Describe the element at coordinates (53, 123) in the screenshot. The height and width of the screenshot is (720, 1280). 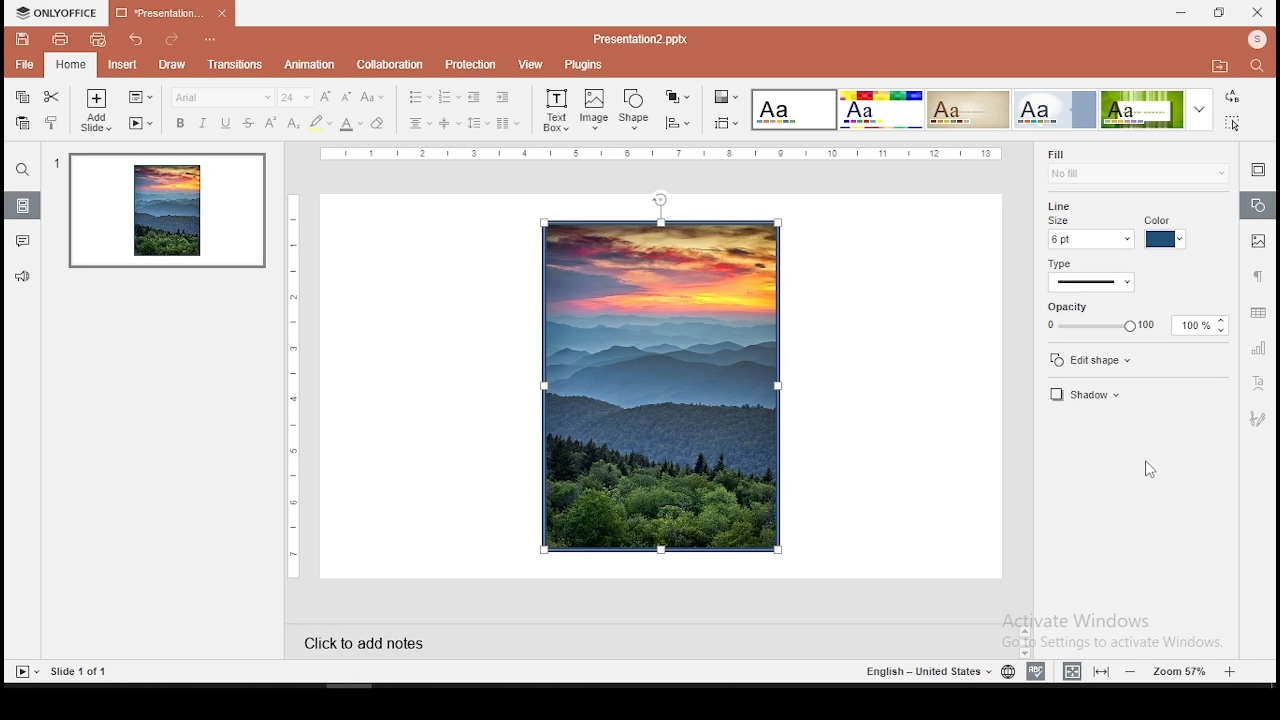
I see `clone formatting` at that location.